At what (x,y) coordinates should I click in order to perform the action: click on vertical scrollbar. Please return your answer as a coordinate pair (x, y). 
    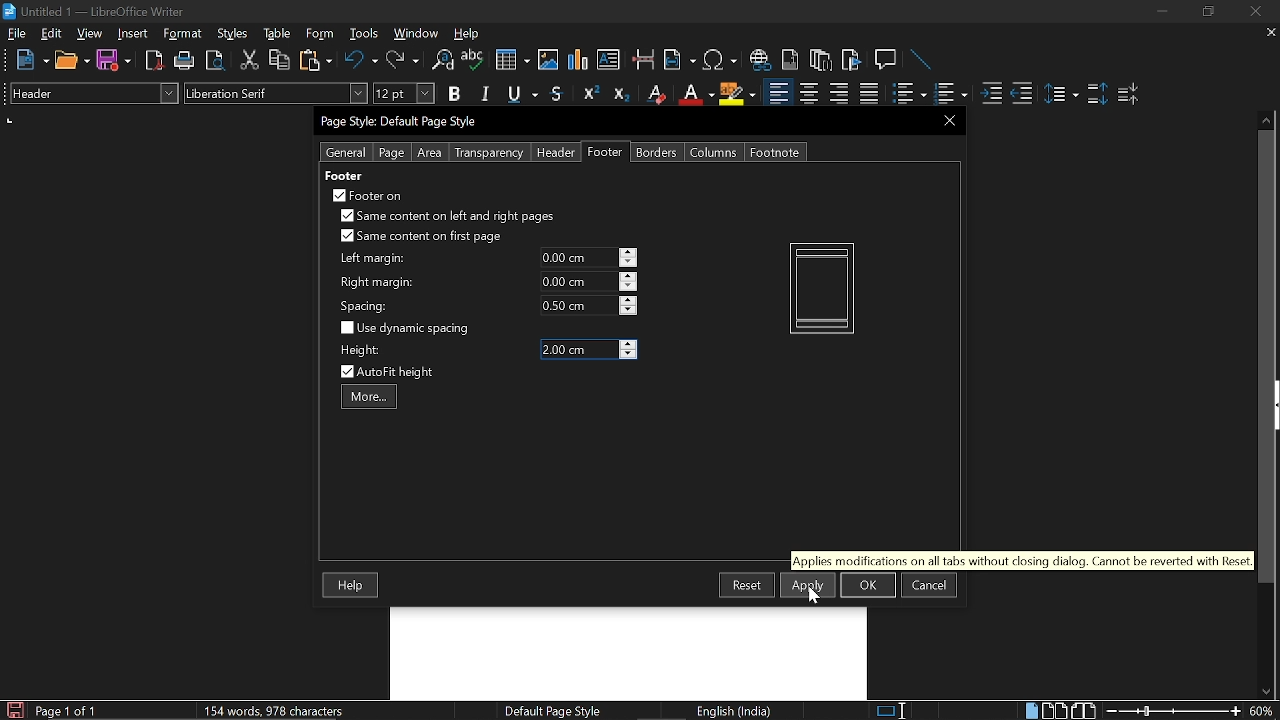
    Looking at the image, I should click on (1262, 357).